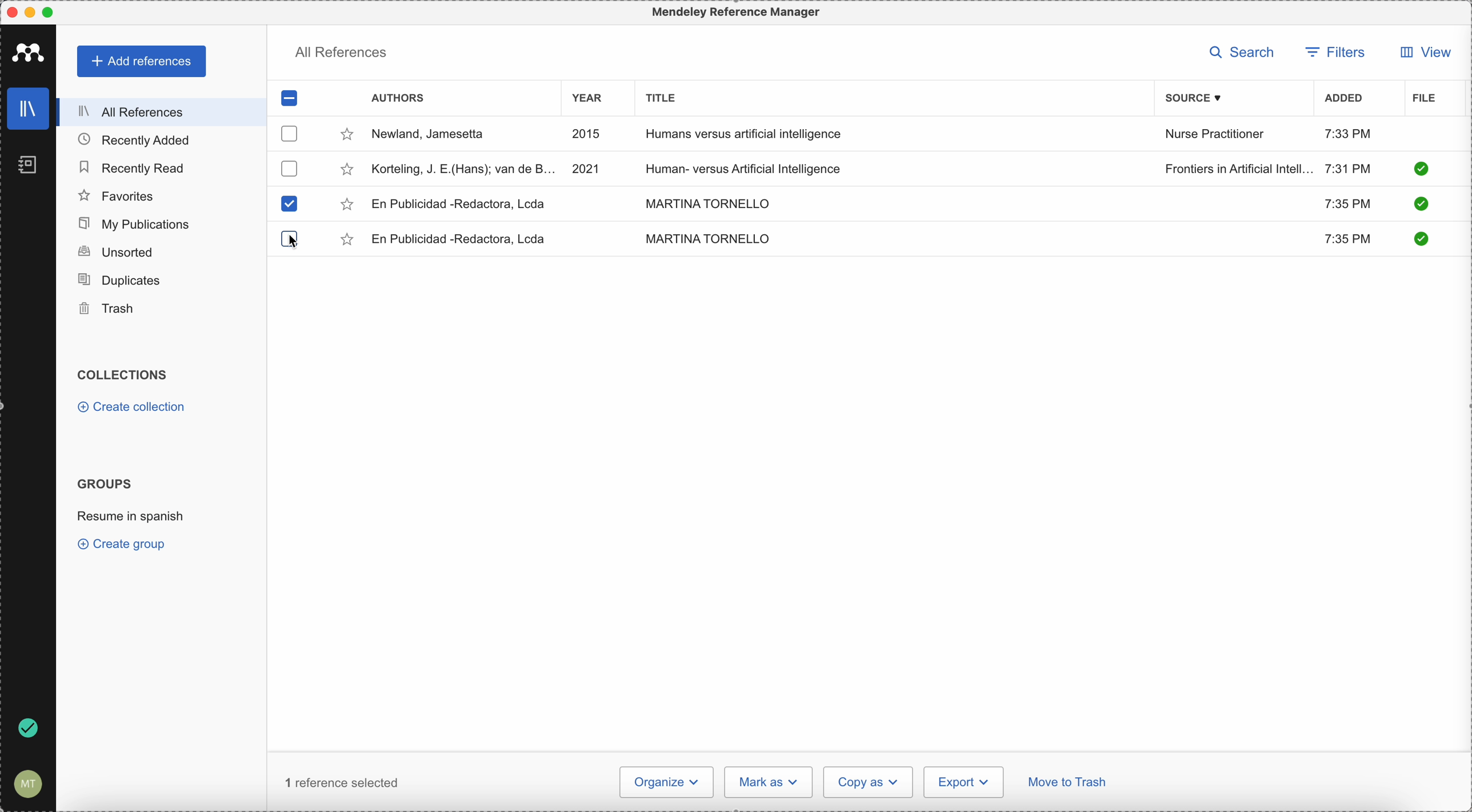 The height and width of the screenshot is (812, 1472). What do you see at coordinates (119, 281) in the screenshot?
I see `duplicates` at bounding box center [119, 281].